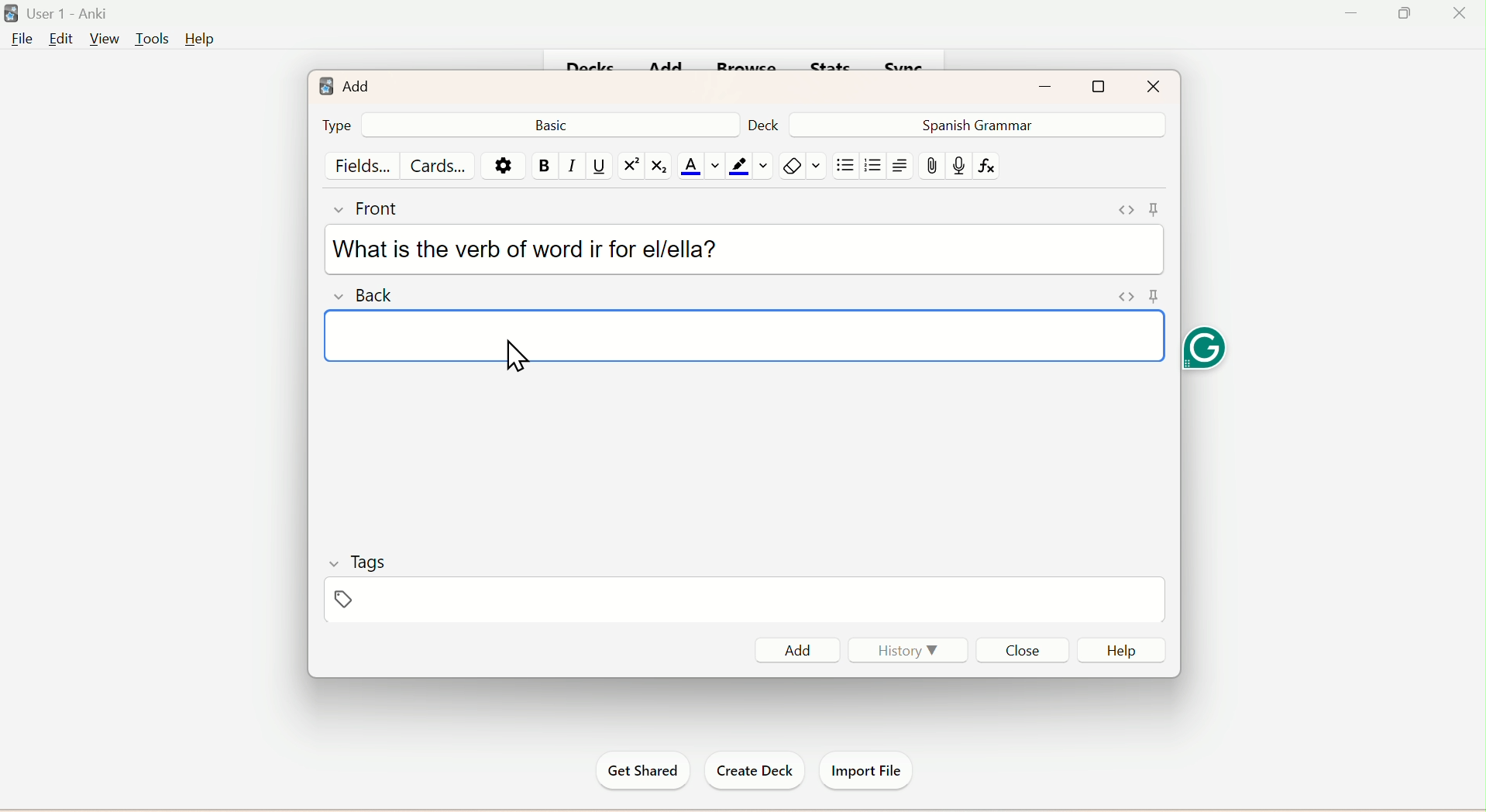 The width and height of the screenshot is (1486, 812). Describe the element at coordinates (500, 165) in the screenshot. I see `Settings` at that location.